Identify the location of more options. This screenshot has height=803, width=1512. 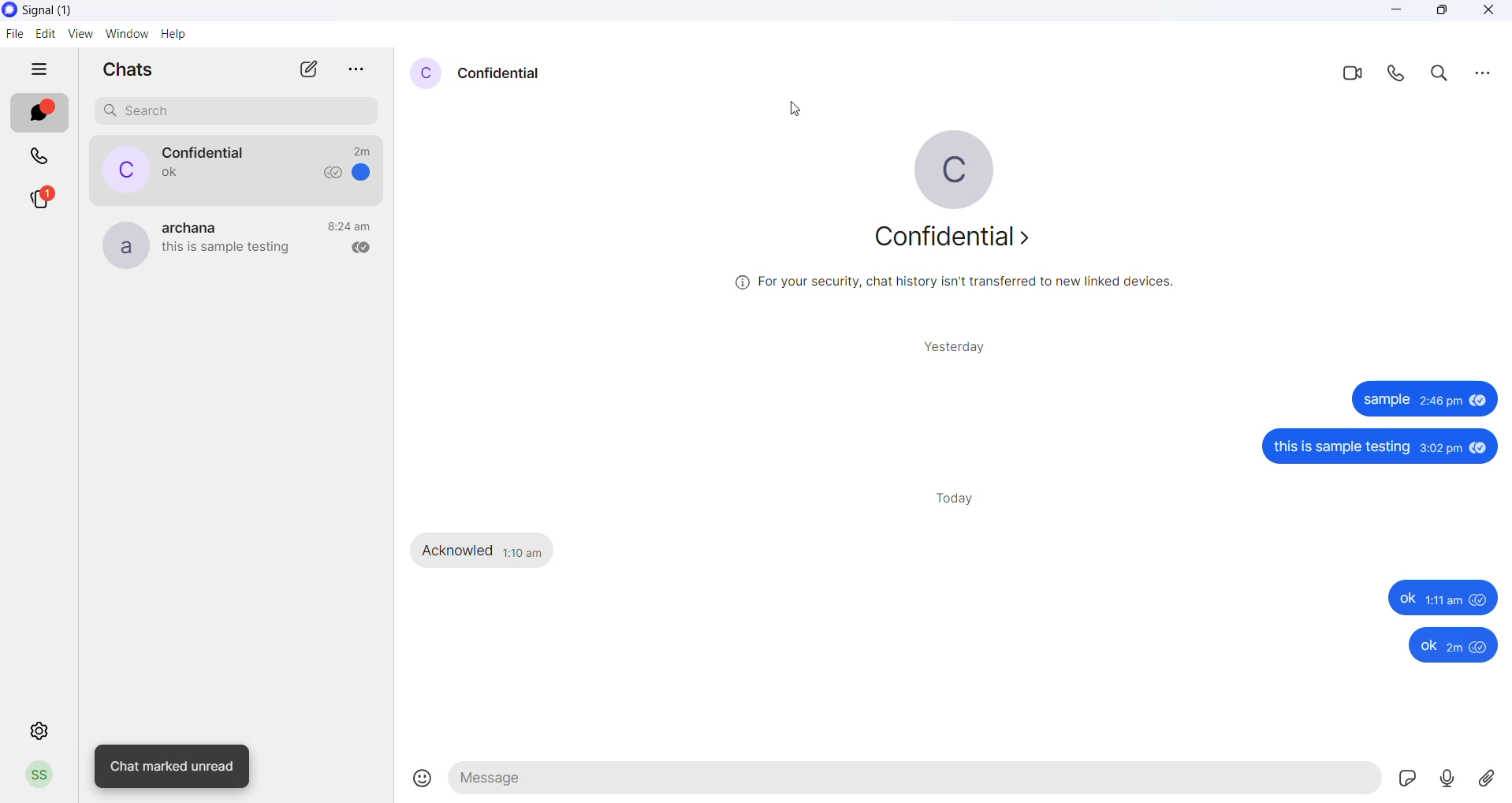
(1488, 73).